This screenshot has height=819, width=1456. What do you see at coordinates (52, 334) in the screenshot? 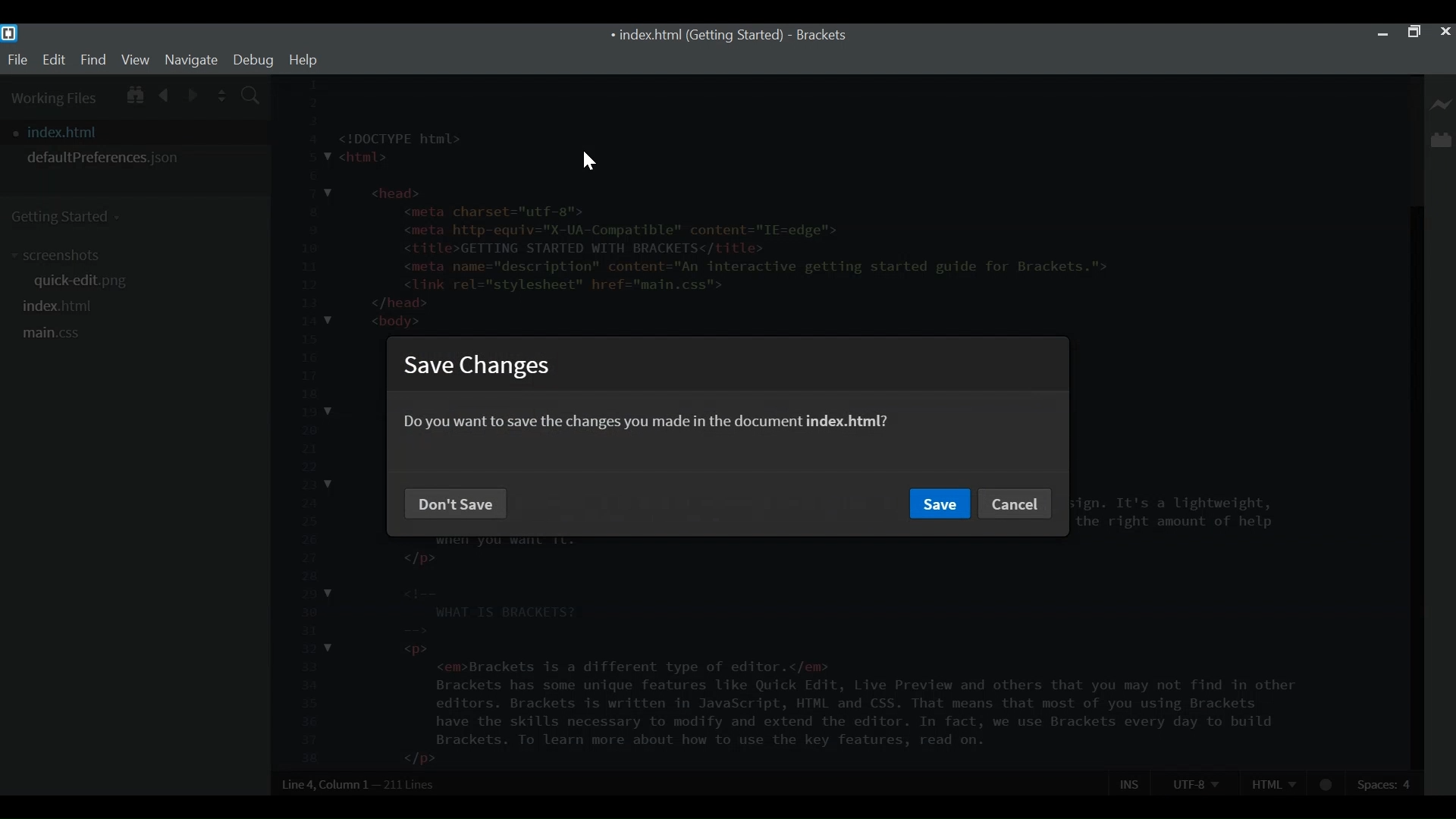
I see `main.css` at bounding box center [52, 334].